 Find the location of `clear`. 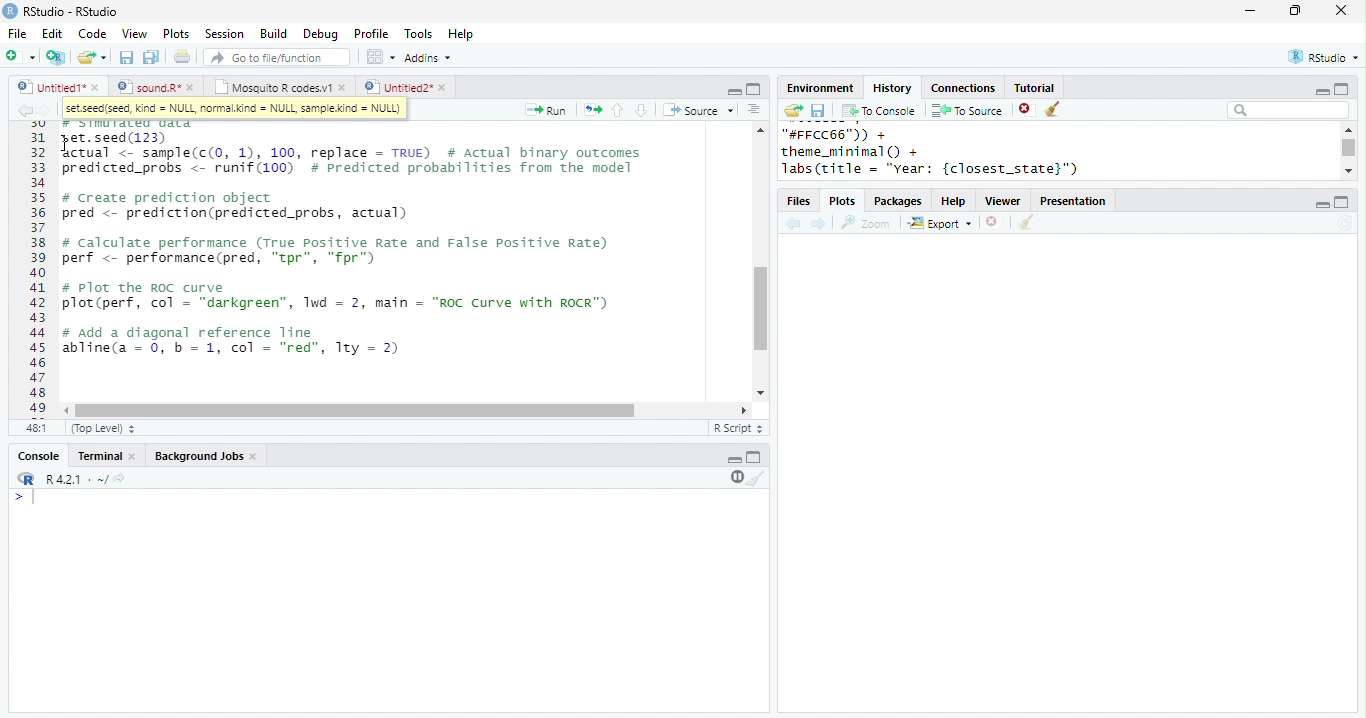

clear is located at coordinates (1026, 223).